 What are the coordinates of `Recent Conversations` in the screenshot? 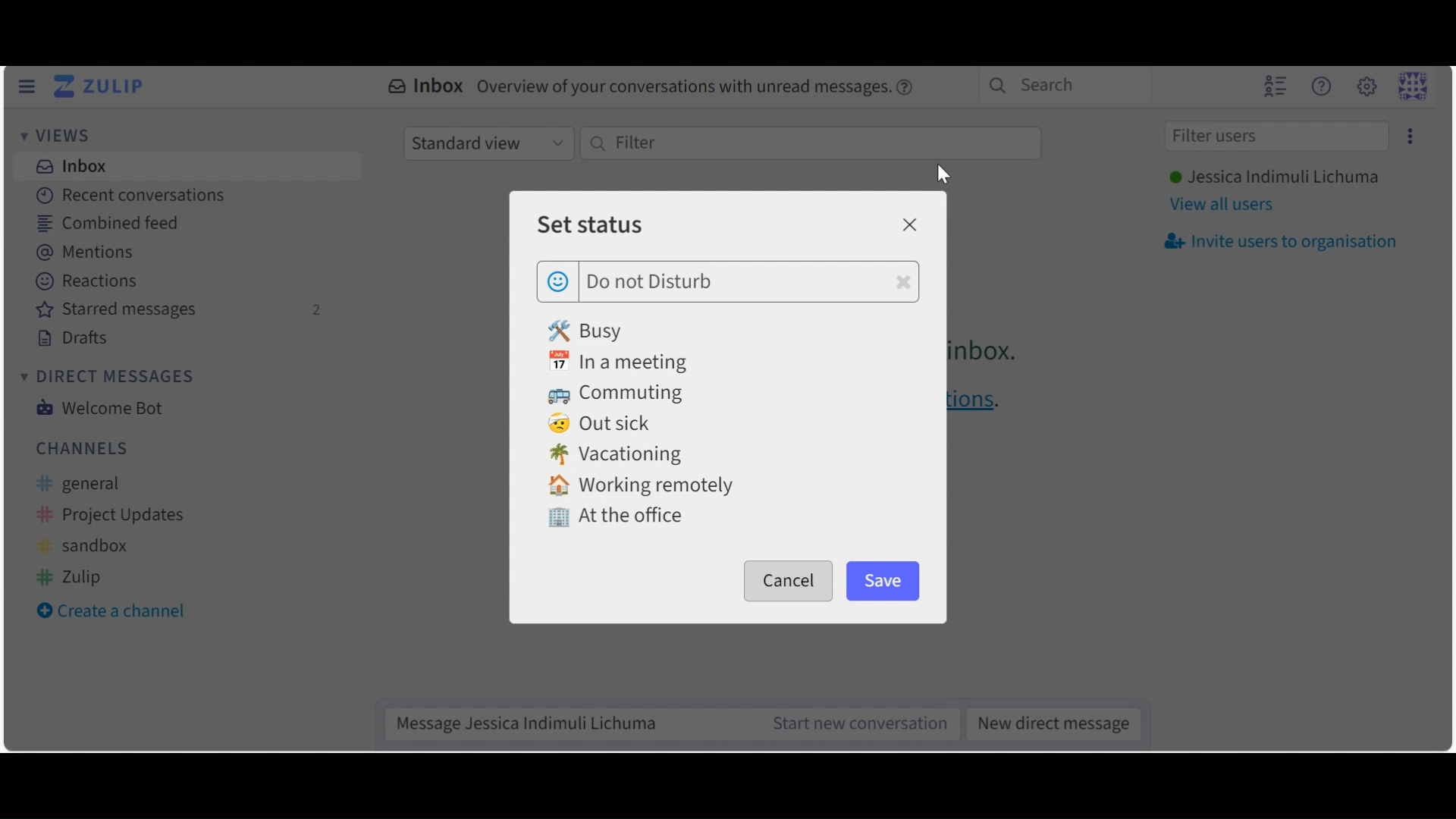 It's located at (129, 195).